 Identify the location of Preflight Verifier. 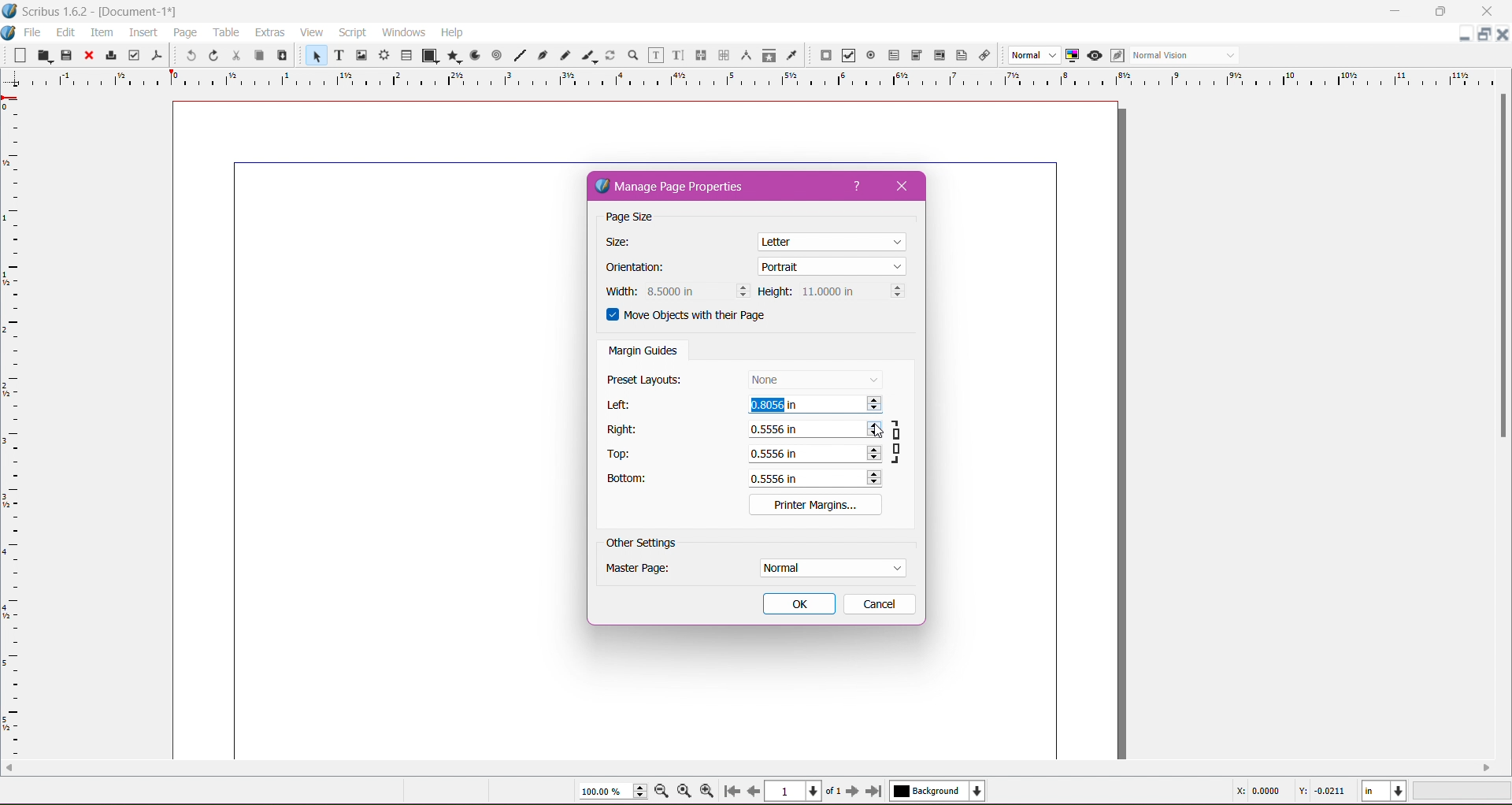
(134, 55).